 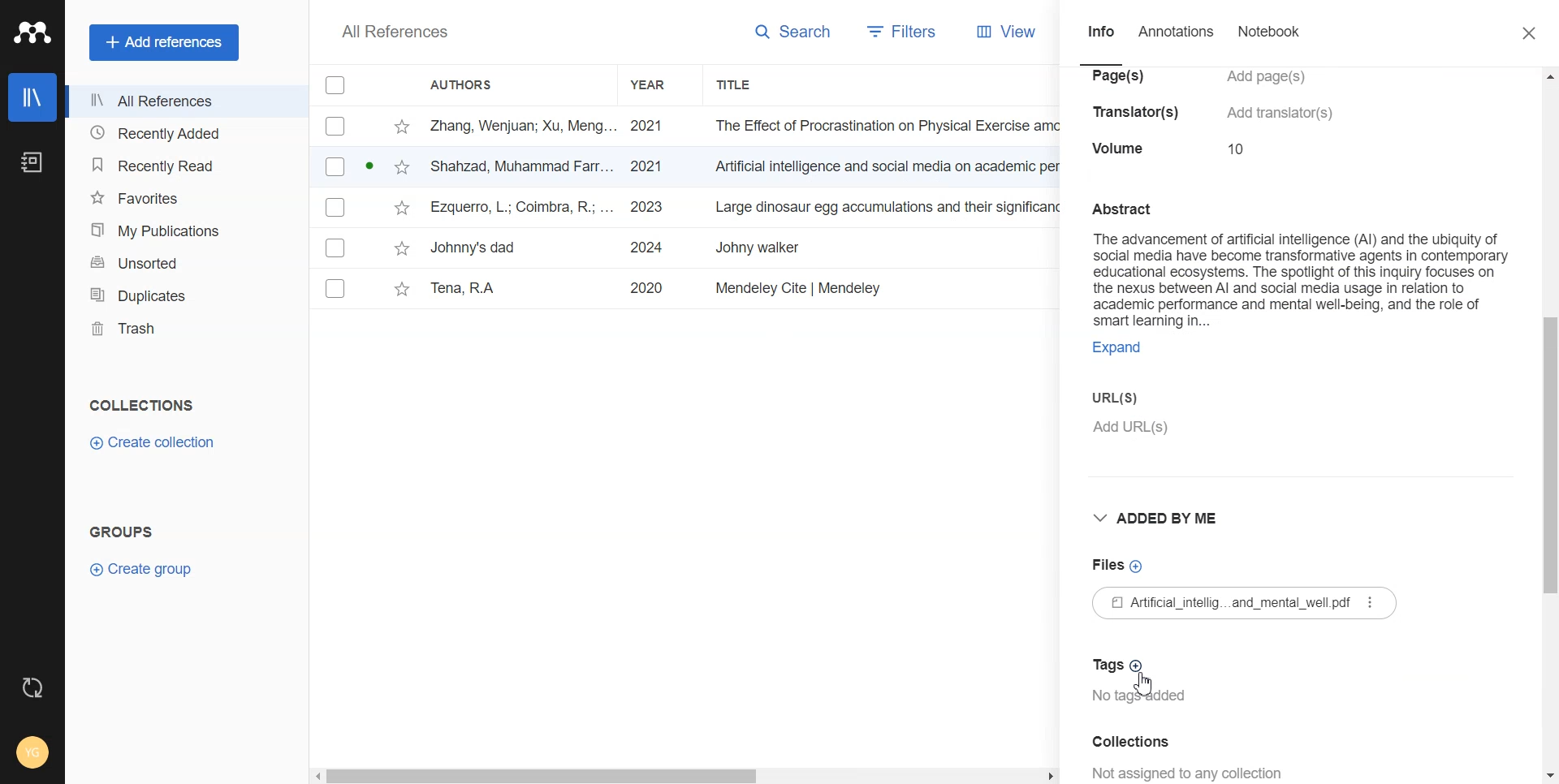 What do you see at coordinates (183, 196) in the screenshot?
I see `Favorites` at bounding box center [183, 196].